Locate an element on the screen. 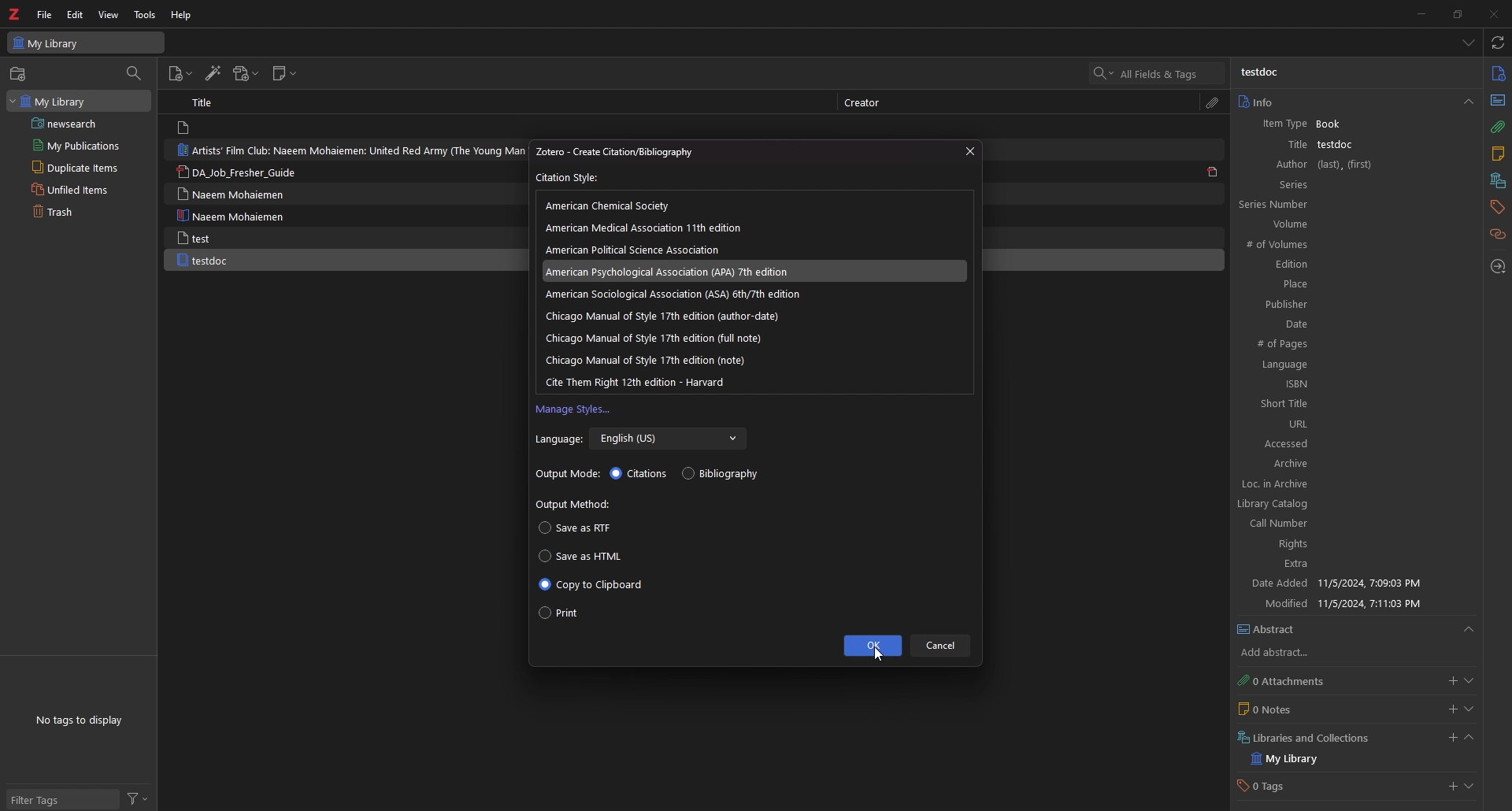 The width and height of the screenshot is (1512, 811). Languages is located at coordinates (1349, 365).